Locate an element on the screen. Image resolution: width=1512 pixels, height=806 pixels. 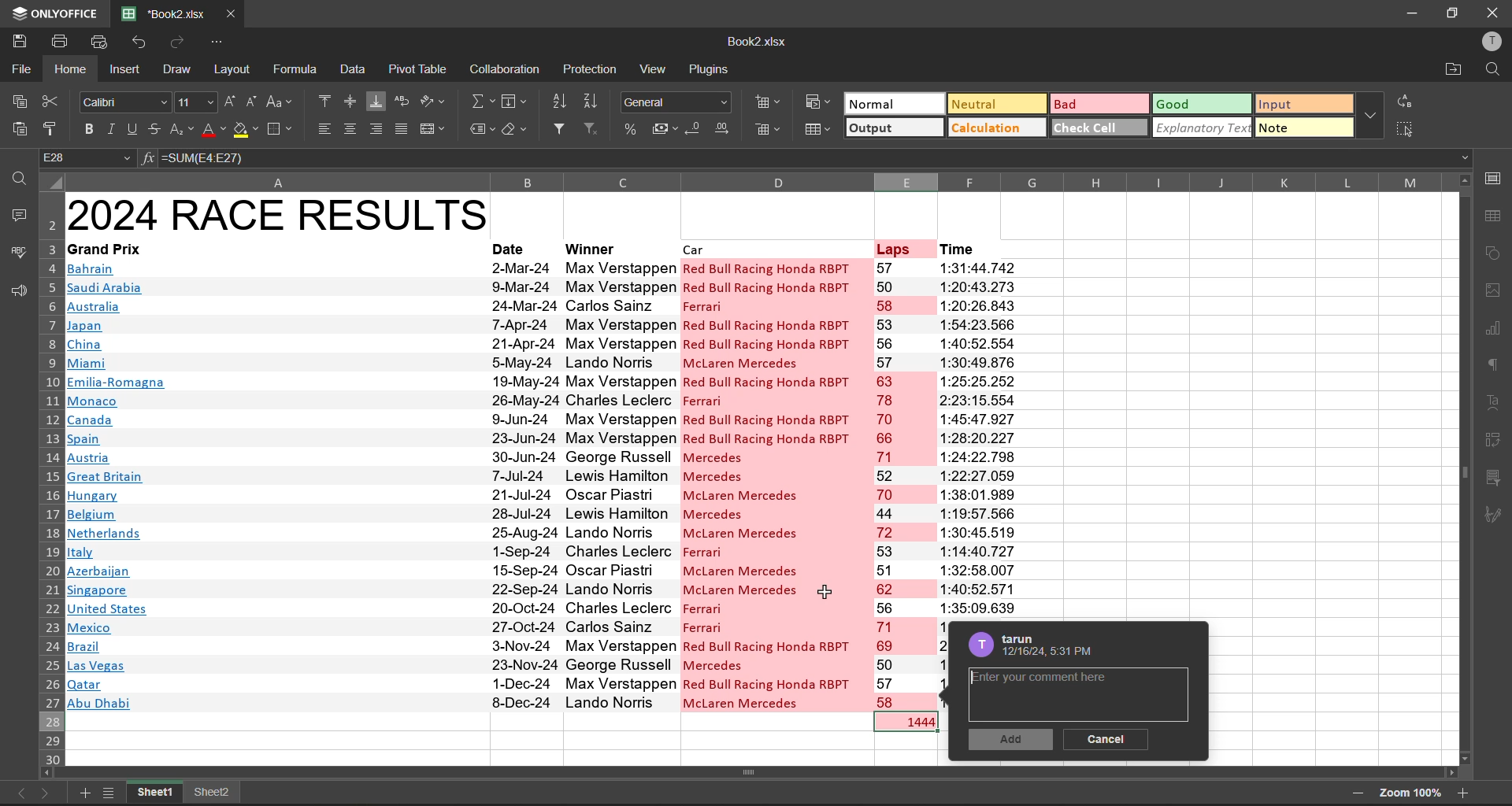
plugins is located at coordinates (713, 71).